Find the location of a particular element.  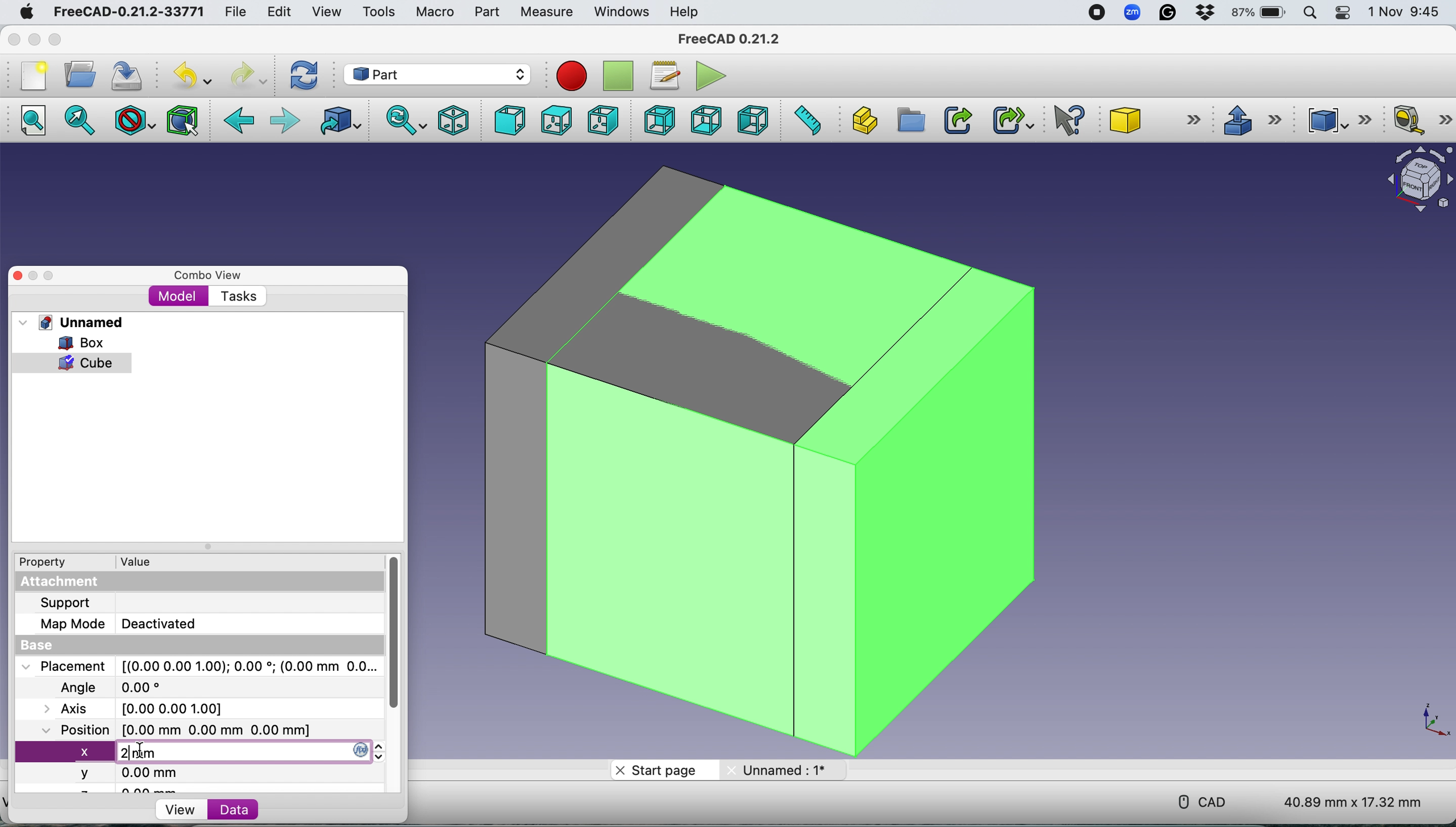

Bounding box is located at coordinates (184, 119).